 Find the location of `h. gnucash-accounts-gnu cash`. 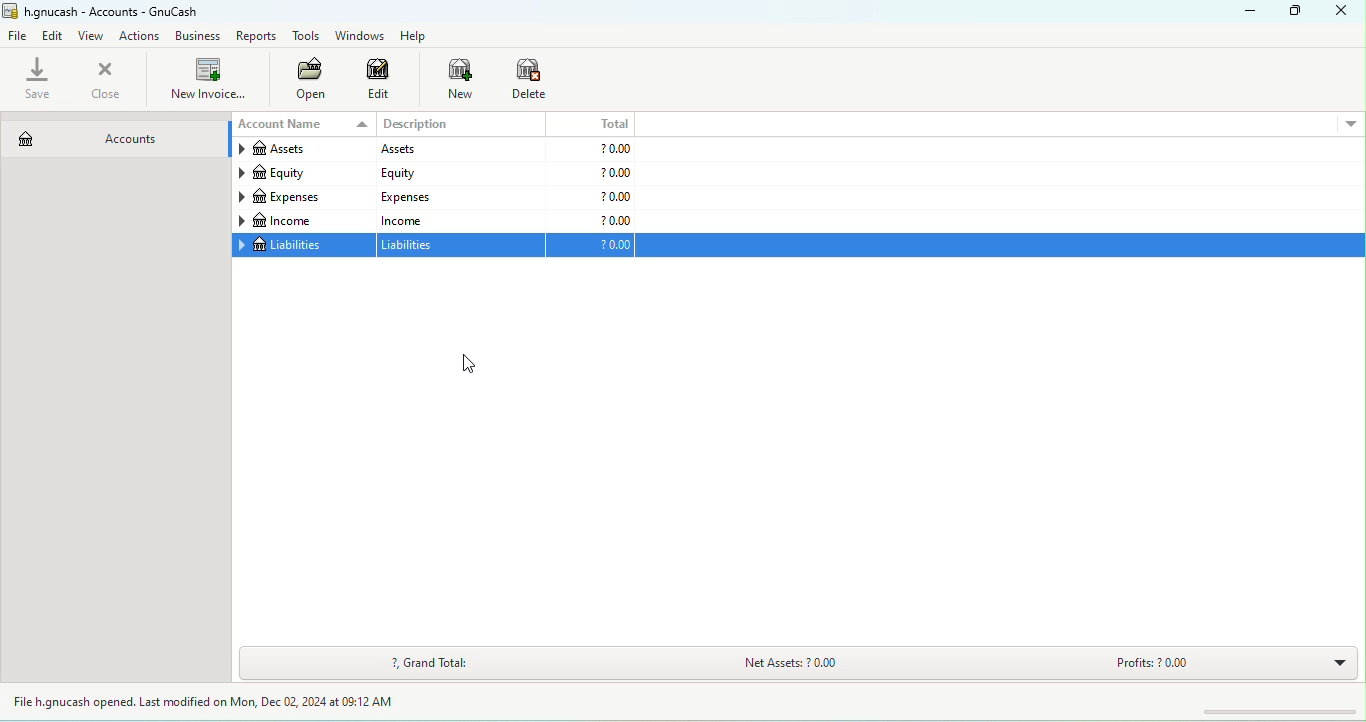

h. gnucash-accounts-gnu cash is located at coordinates (125, 10).